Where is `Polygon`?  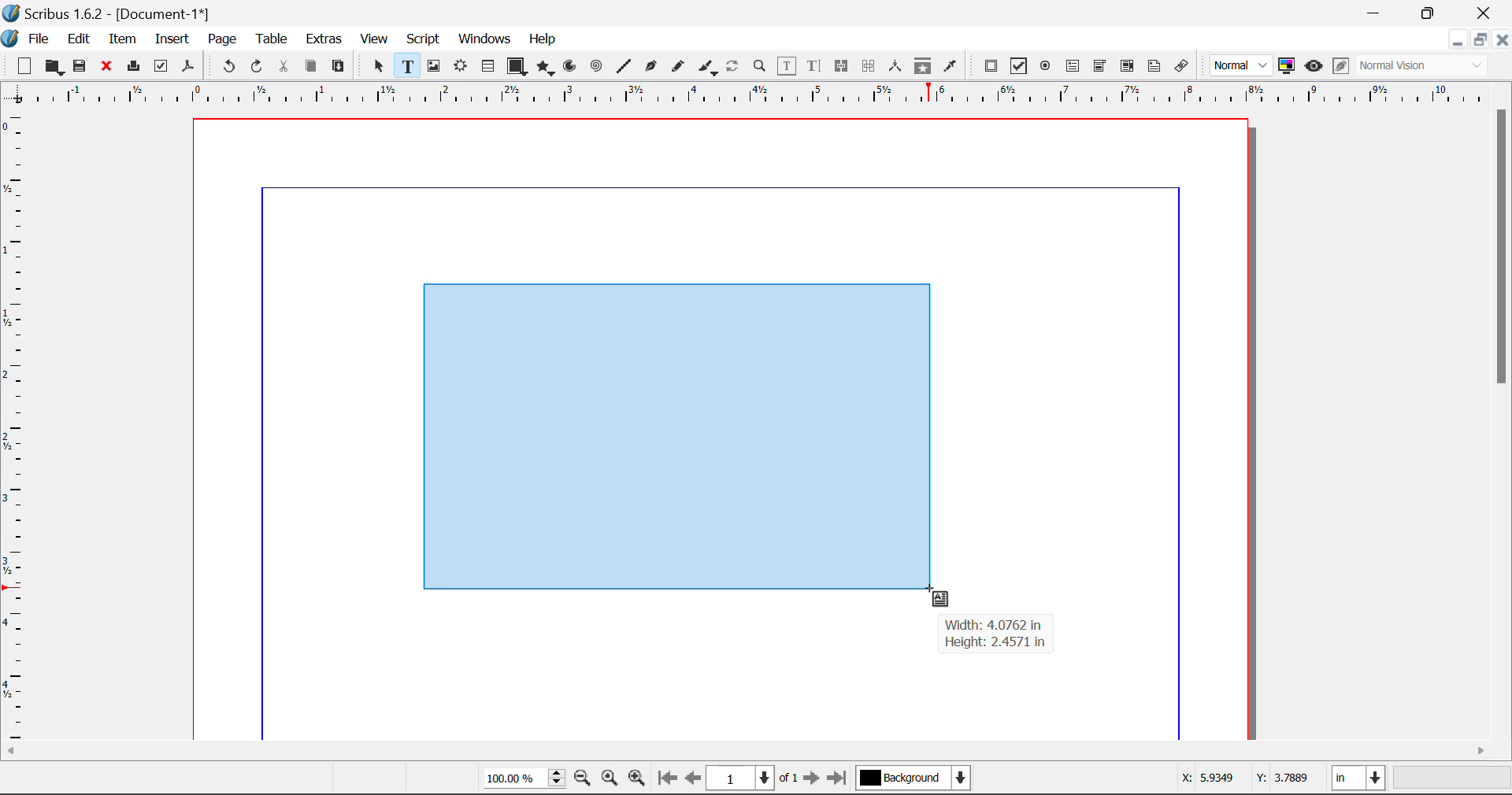
Polygon is located at coordinates (547, 68).